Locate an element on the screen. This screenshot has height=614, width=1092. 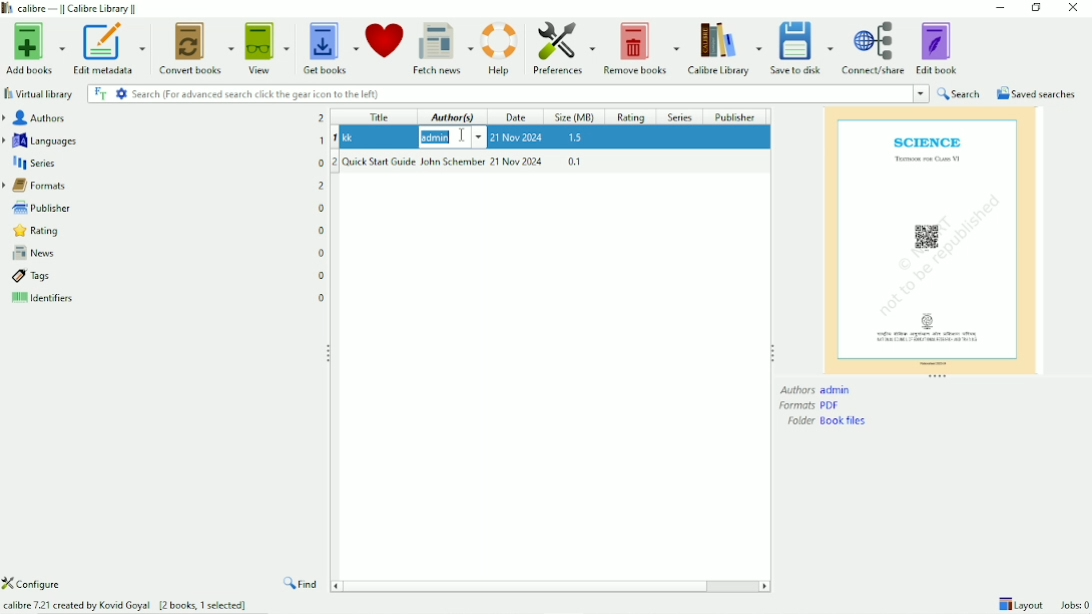
Save to disk is located at coordinates (801, 49).